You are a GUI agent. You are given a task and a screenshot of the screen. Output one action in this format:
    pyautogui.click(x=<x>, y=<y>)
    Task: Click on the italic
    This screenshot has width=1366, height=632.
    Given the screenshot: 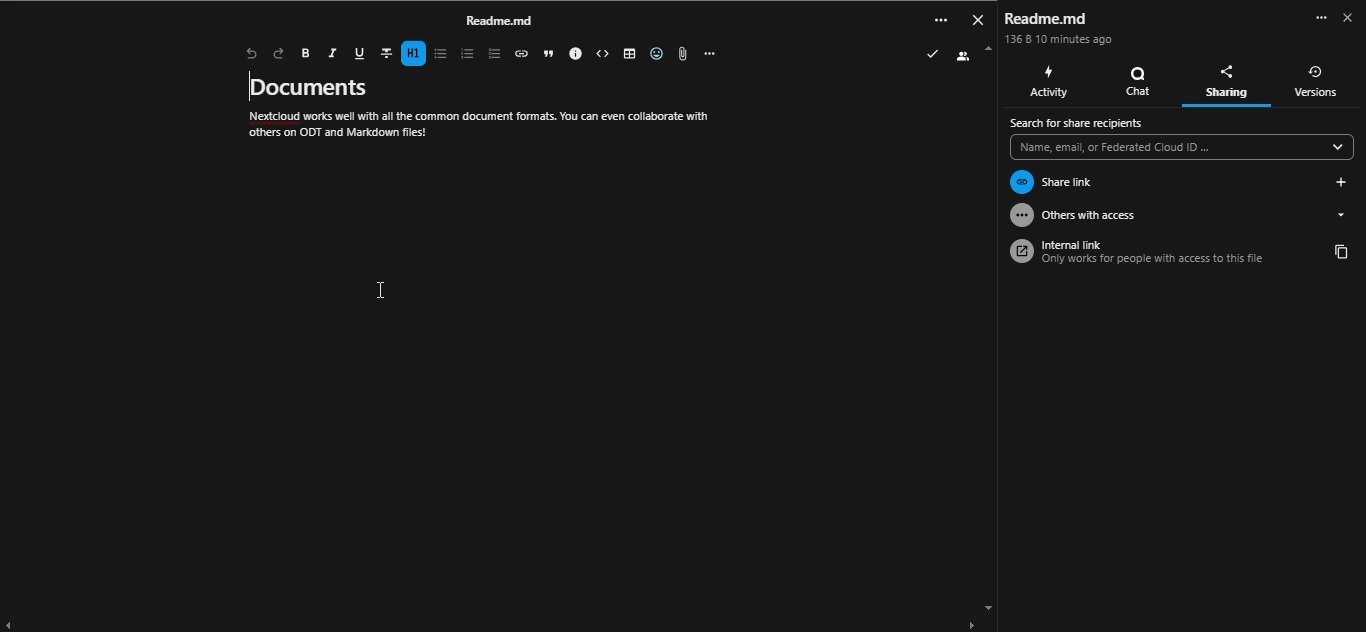 What is the action you would take?
    pyautogui.click(x=334, y=51)
    